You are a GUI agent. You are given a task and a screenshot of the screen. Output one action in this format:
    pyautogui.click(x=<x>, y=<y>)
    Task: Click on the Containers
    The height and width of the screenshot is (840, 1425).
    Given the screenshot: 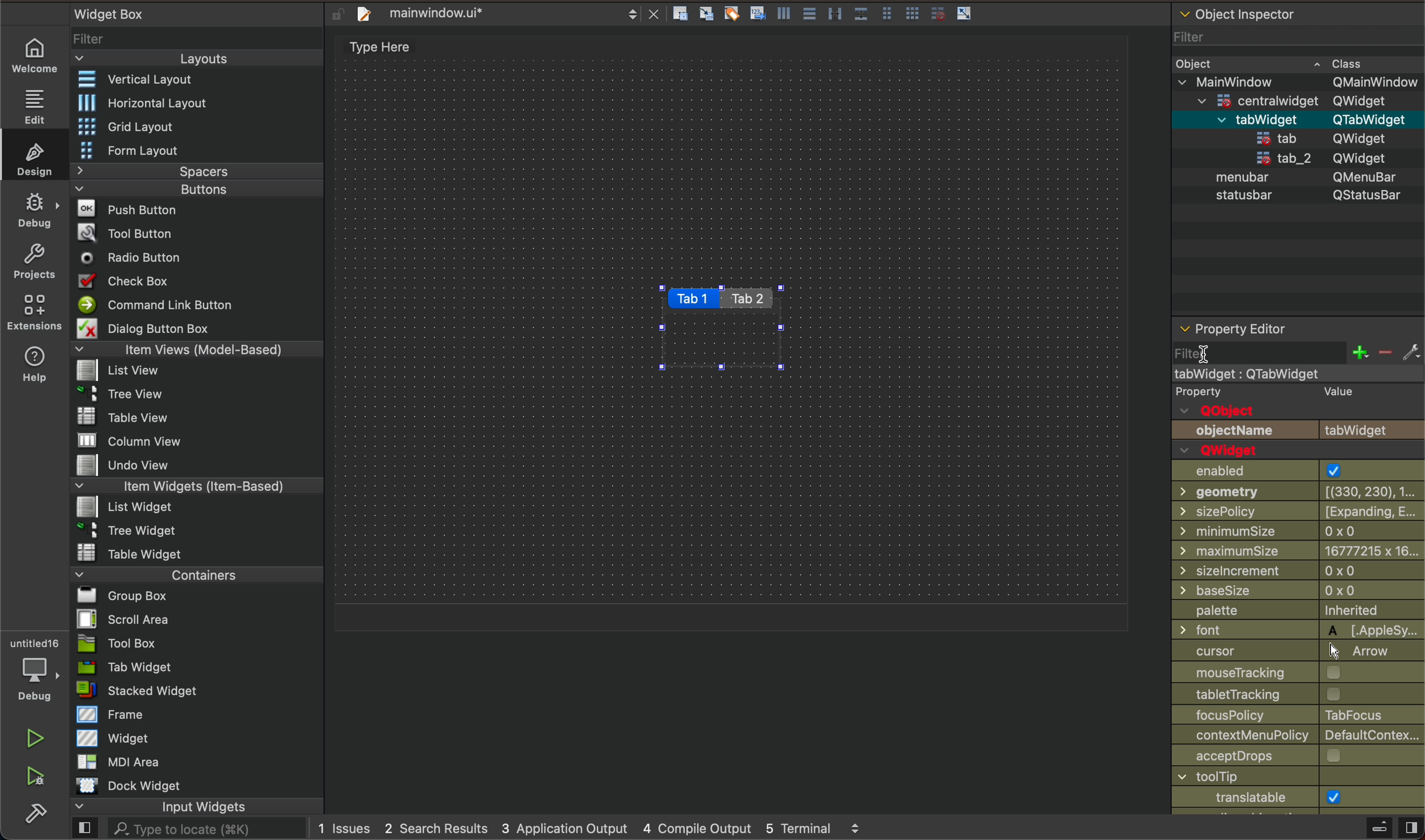 What is the action you would take?
    pyautogui.click(x=194, y=573)
    